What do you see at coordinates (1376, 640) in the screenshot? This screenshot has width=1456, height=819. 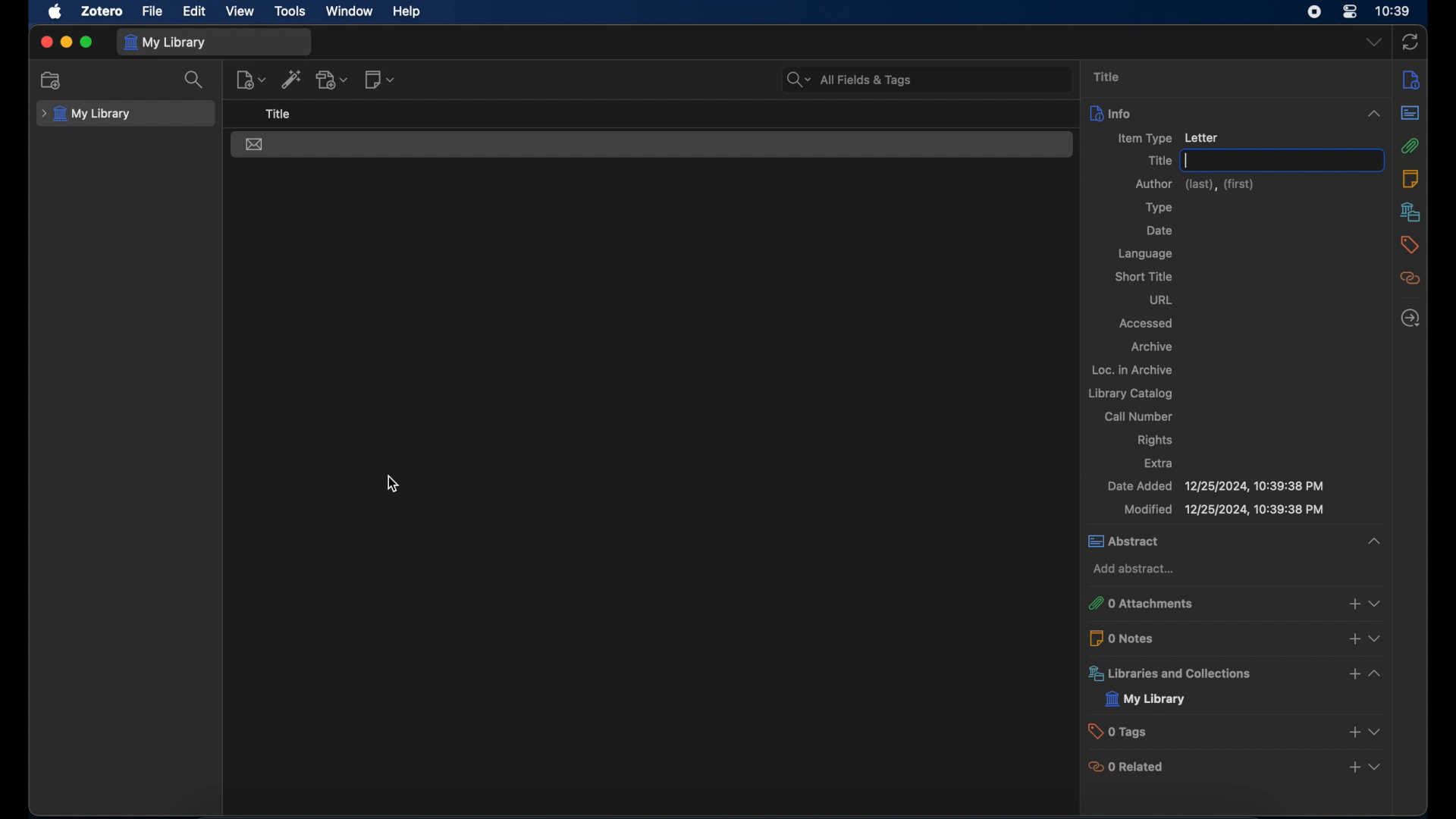 I see `view more` at bounding box center [1376, 640].